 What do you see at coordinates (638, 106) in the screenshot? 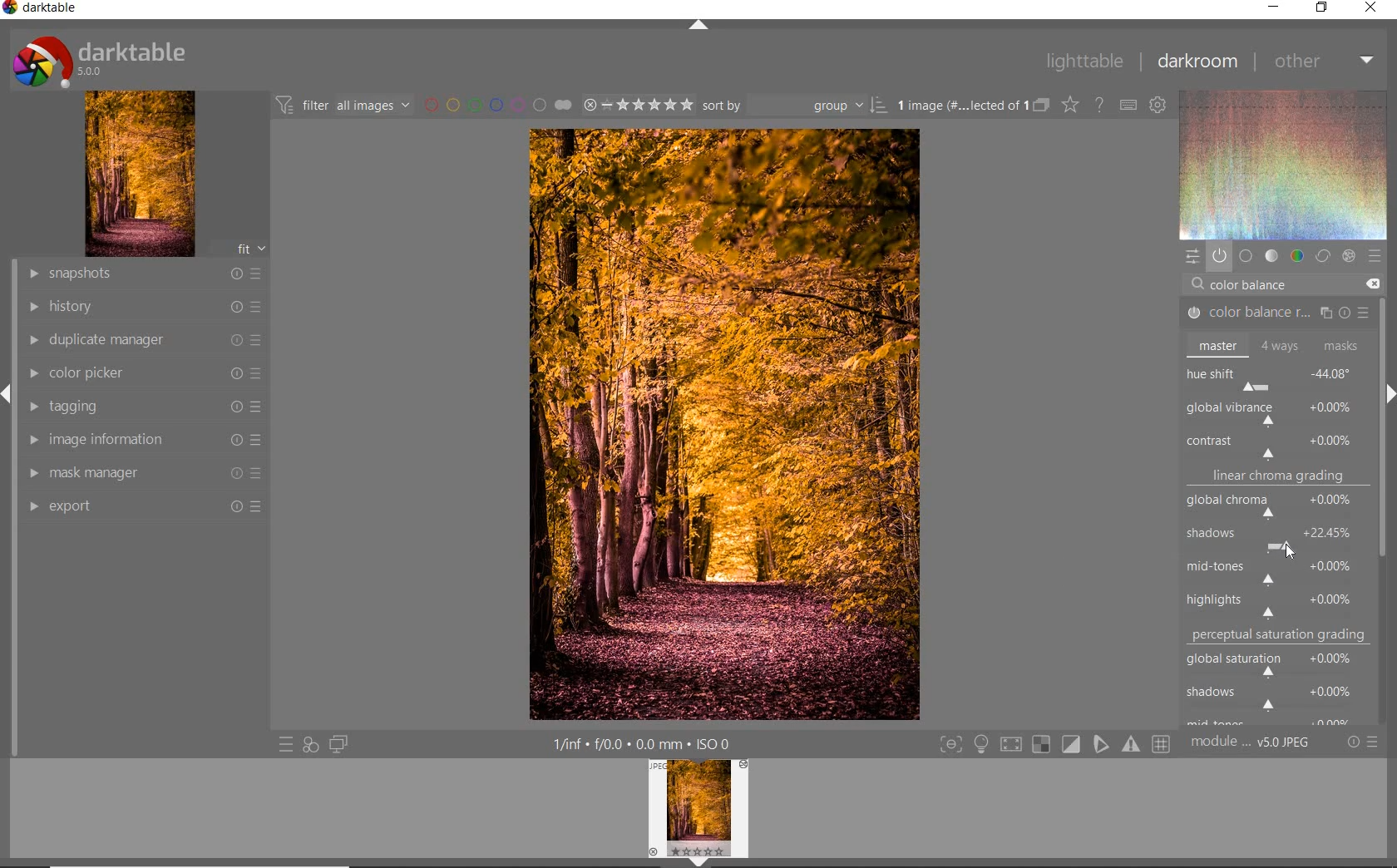
I see `selected image range rating` at bounding box center [638, 106].